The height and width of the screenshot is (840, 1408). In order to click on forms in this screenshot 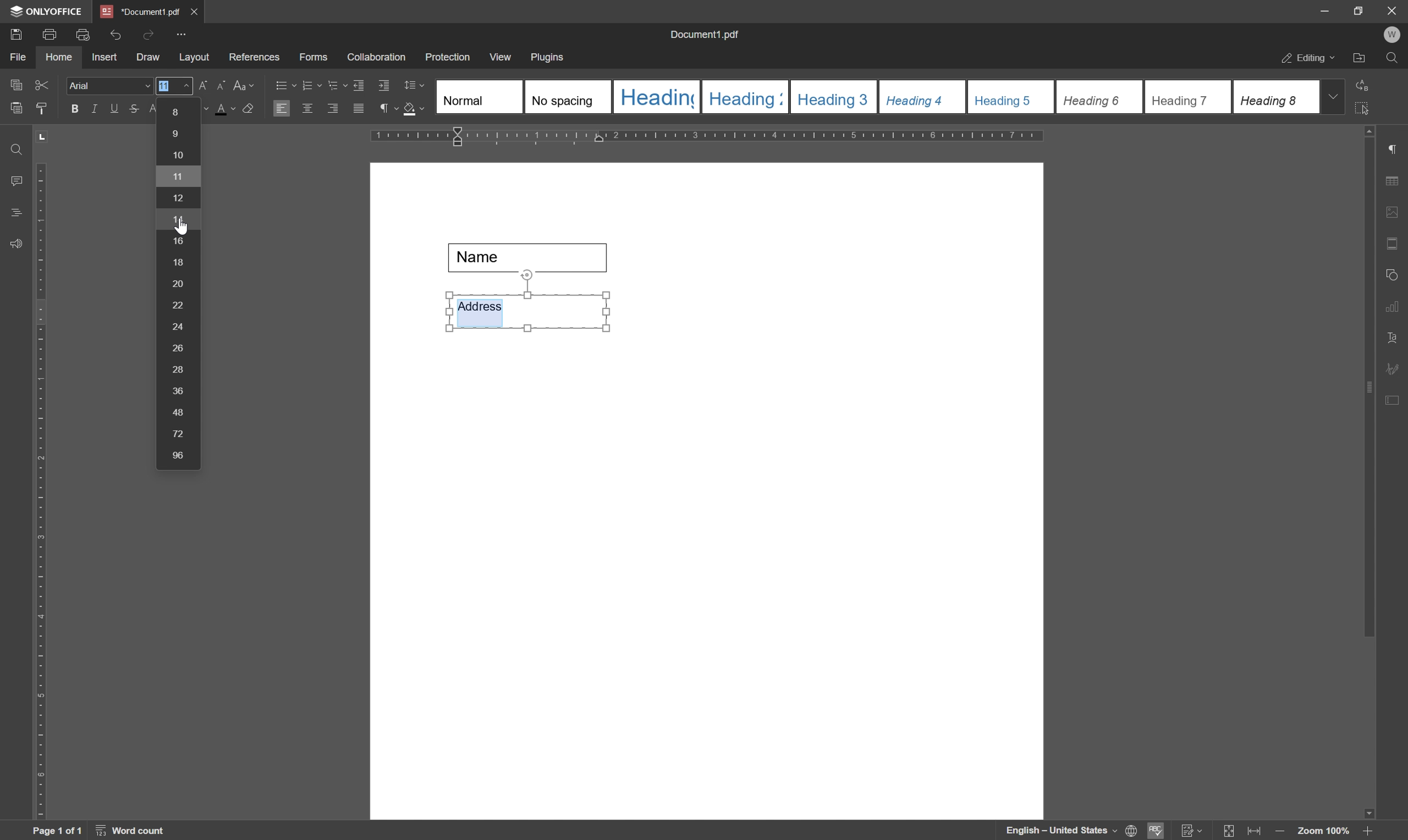, I will do `click(314, 58)`.